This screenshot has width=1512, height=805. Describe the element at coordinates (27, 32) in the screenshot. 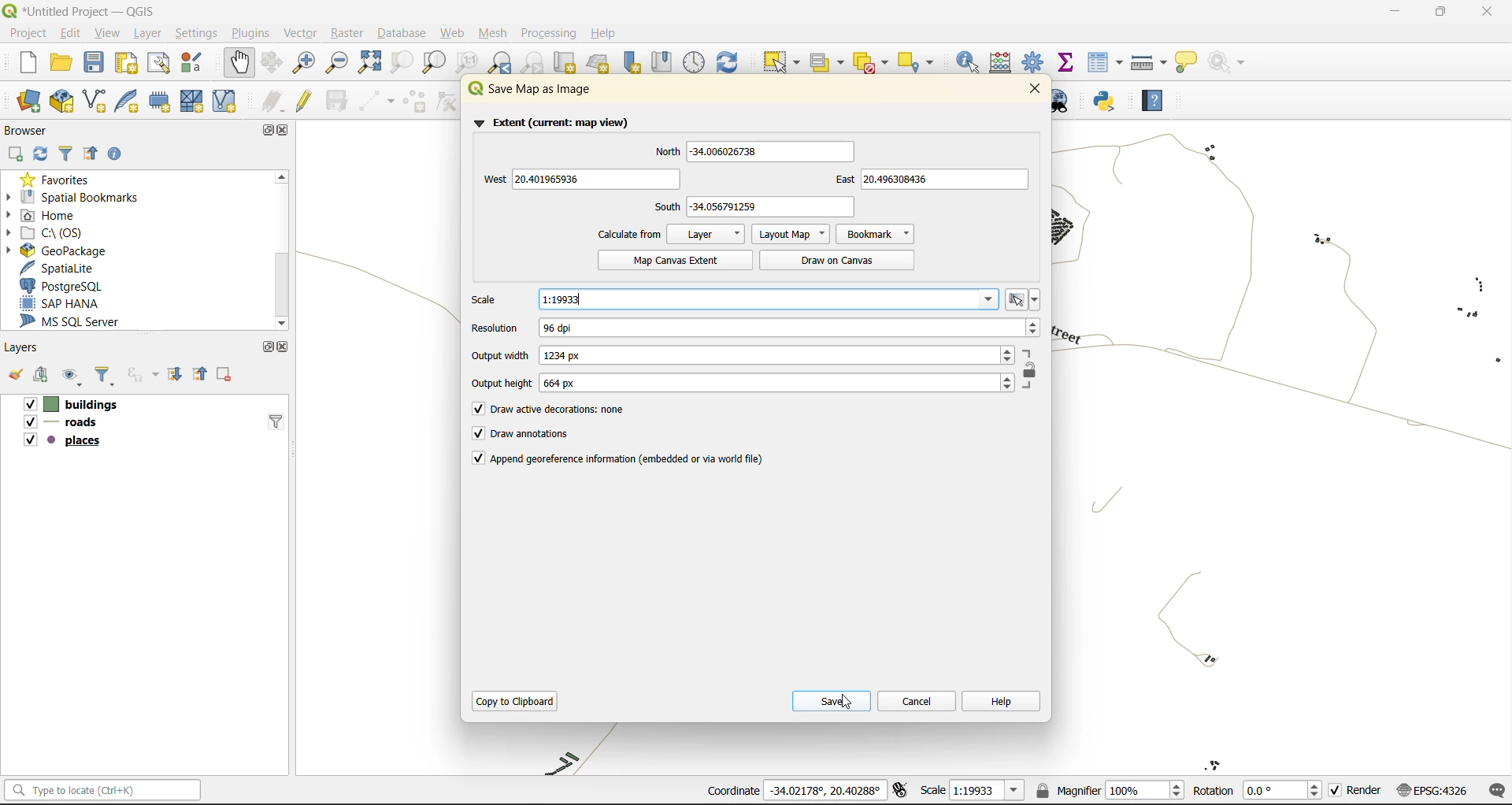

I see `project` at that location.